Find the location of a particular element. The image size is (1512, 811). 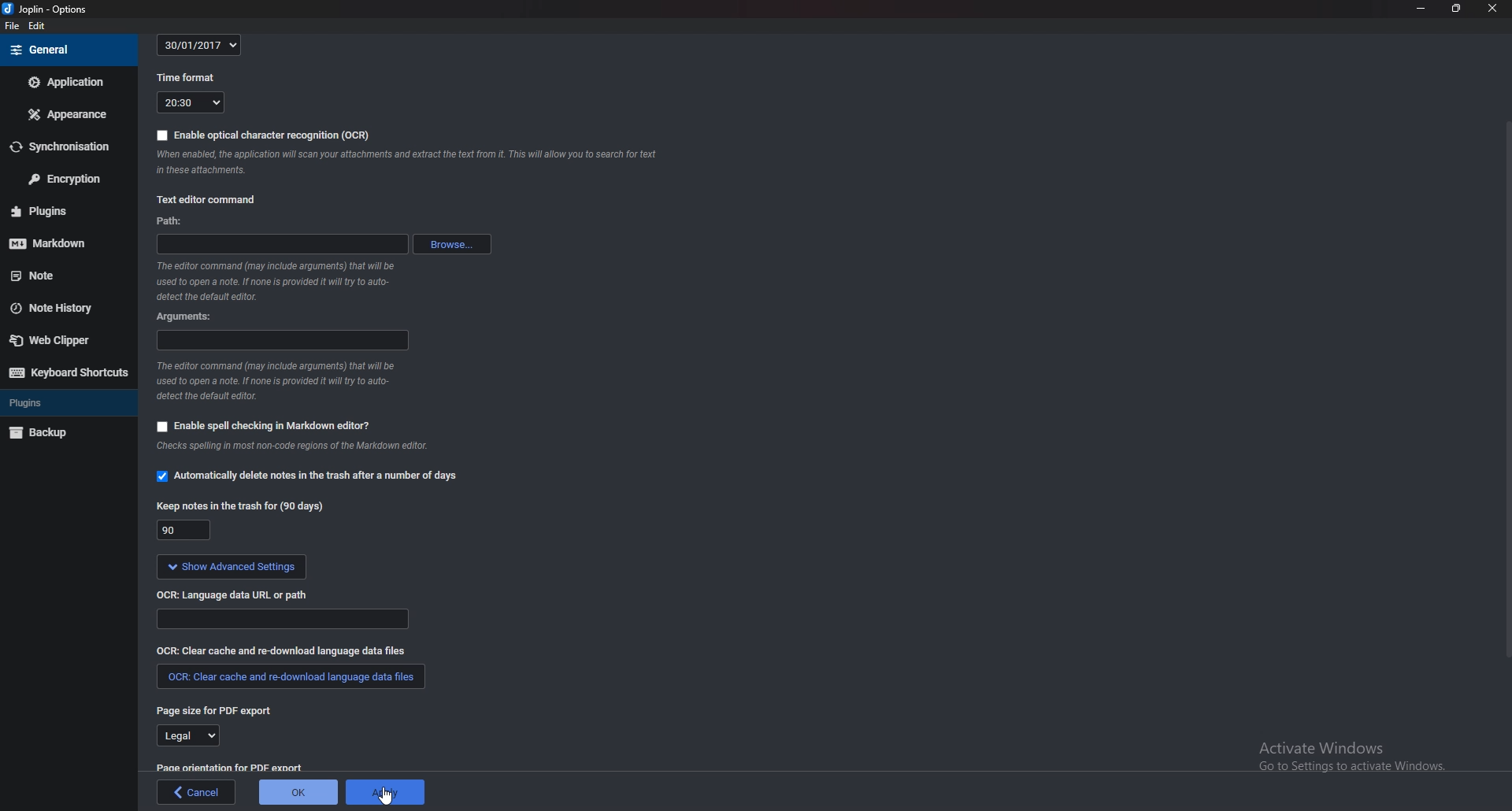

Info is located at coordinates (283, 383).